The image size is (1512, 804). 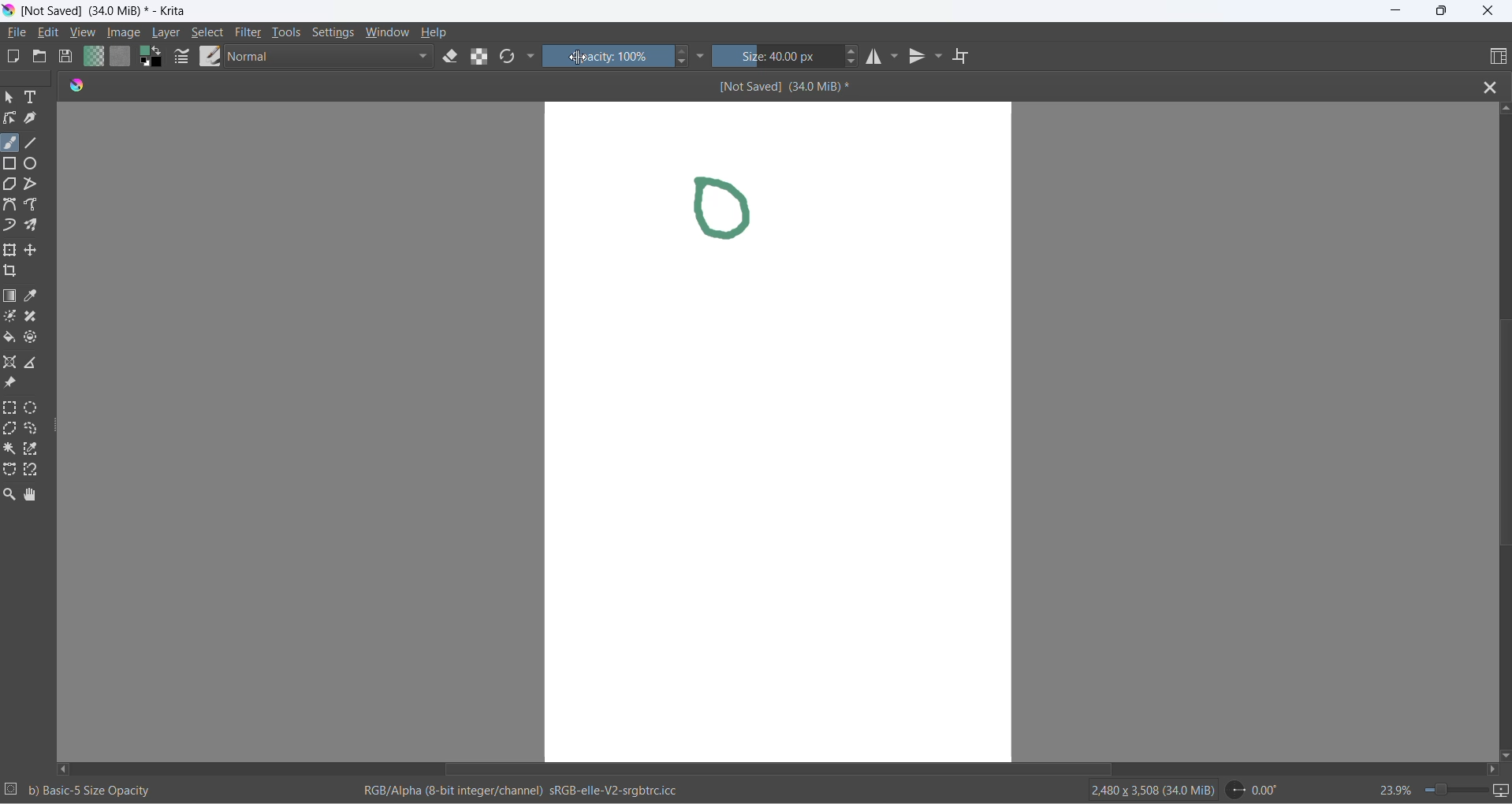 I want to click on move a layer, so click(x=35, y=248).